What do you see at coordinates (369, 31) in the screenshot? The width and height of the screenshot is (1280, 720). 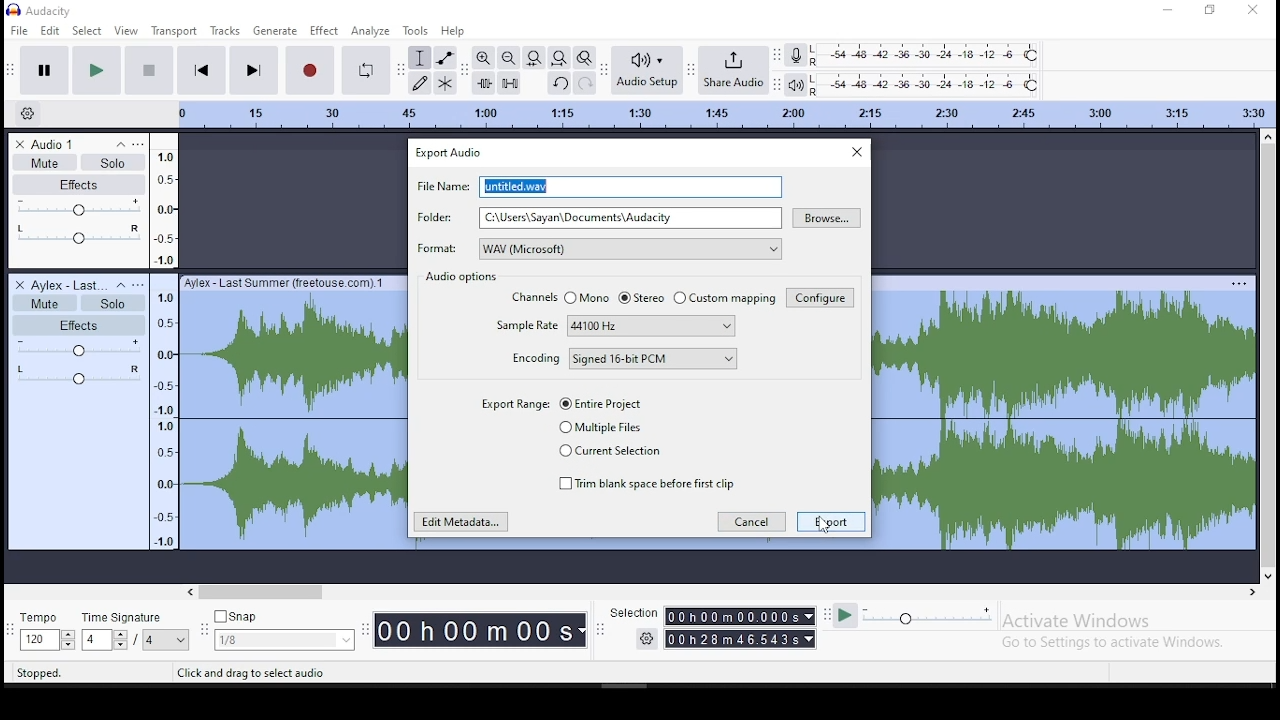 I see `analyze` at bounding box center [369, 31].